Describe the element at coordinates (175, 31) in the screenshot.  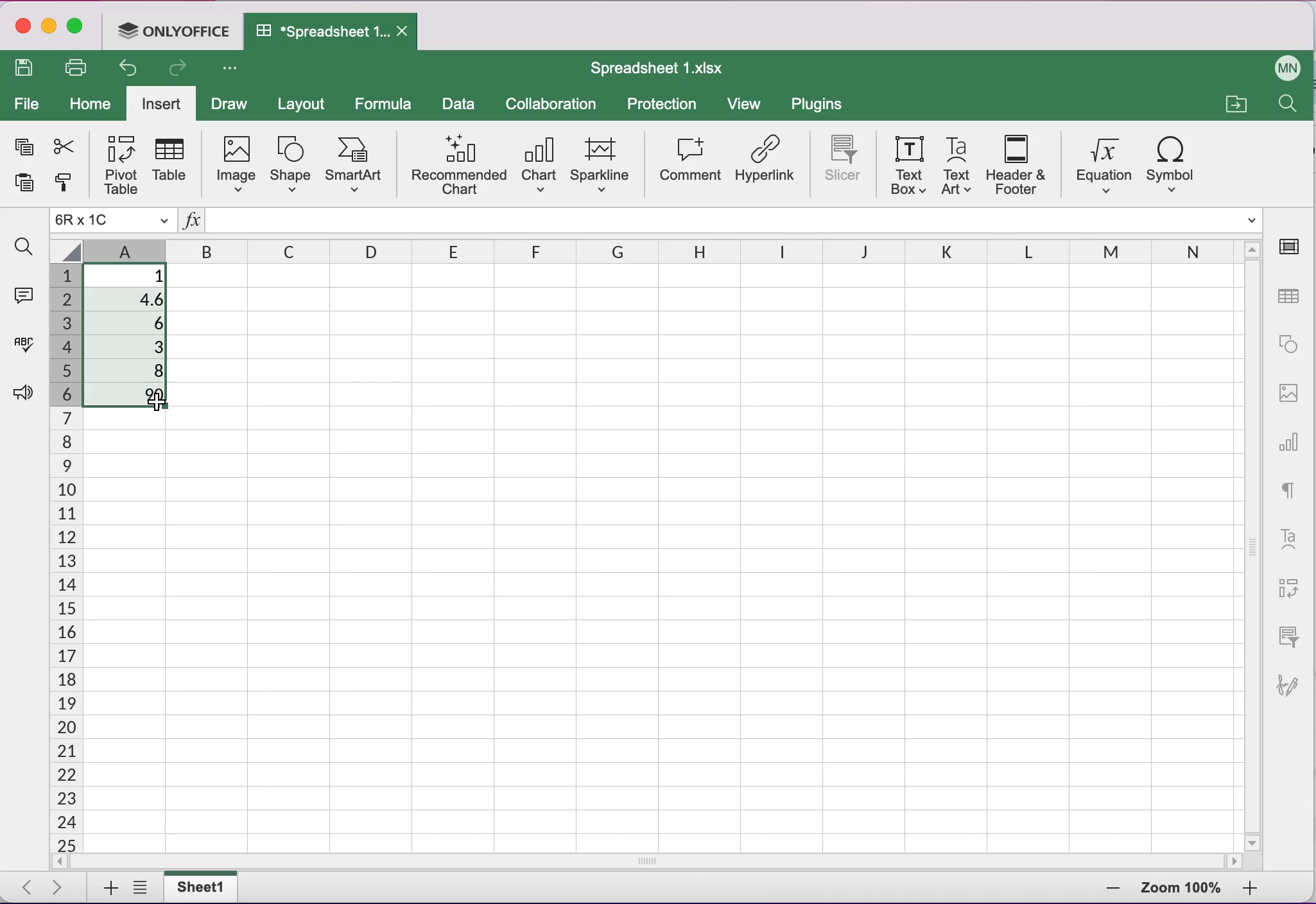
I see `ONLYOFFICE` at that location.